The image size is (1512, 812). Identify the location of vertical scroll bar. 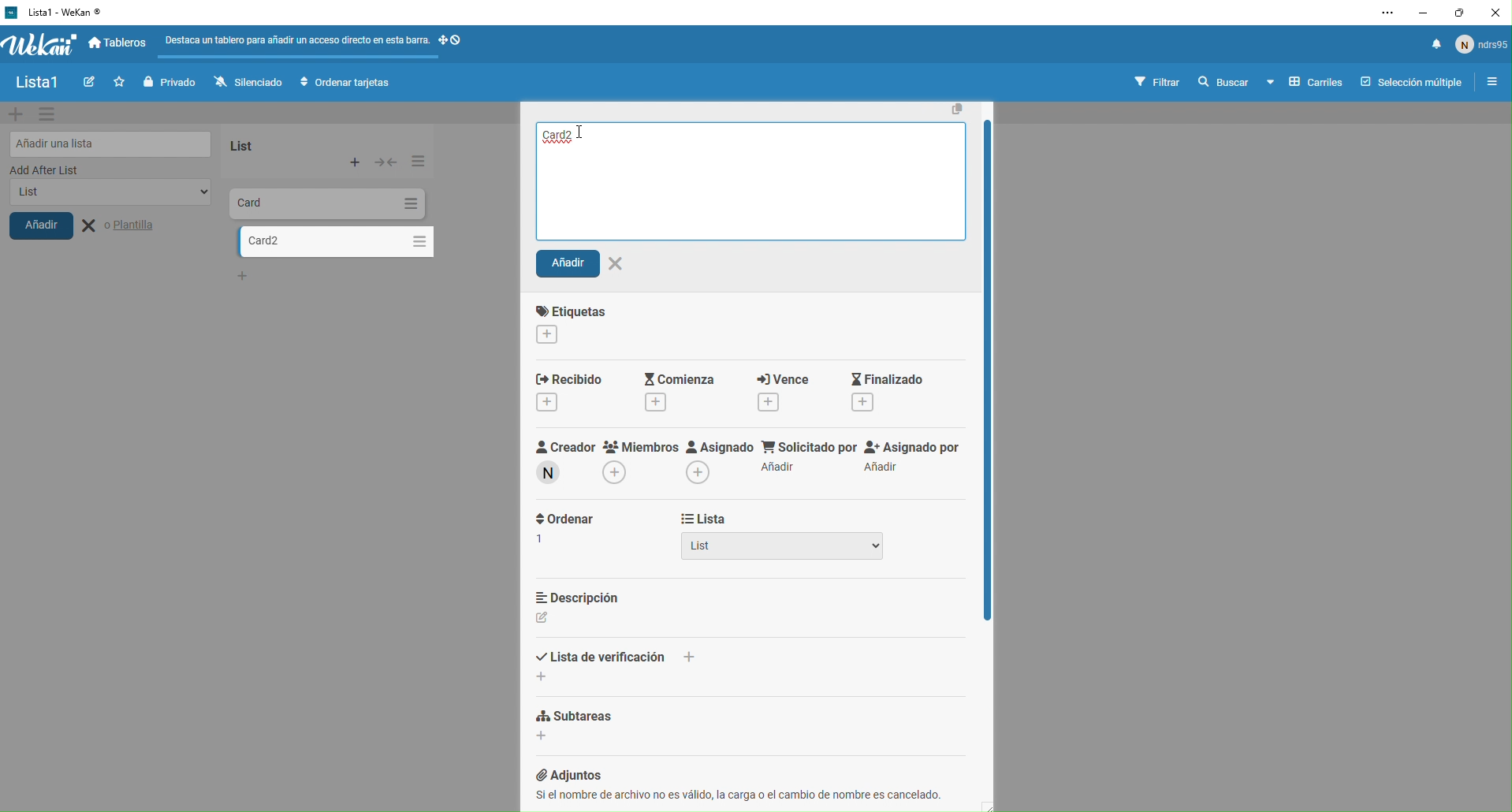
(992, 416).